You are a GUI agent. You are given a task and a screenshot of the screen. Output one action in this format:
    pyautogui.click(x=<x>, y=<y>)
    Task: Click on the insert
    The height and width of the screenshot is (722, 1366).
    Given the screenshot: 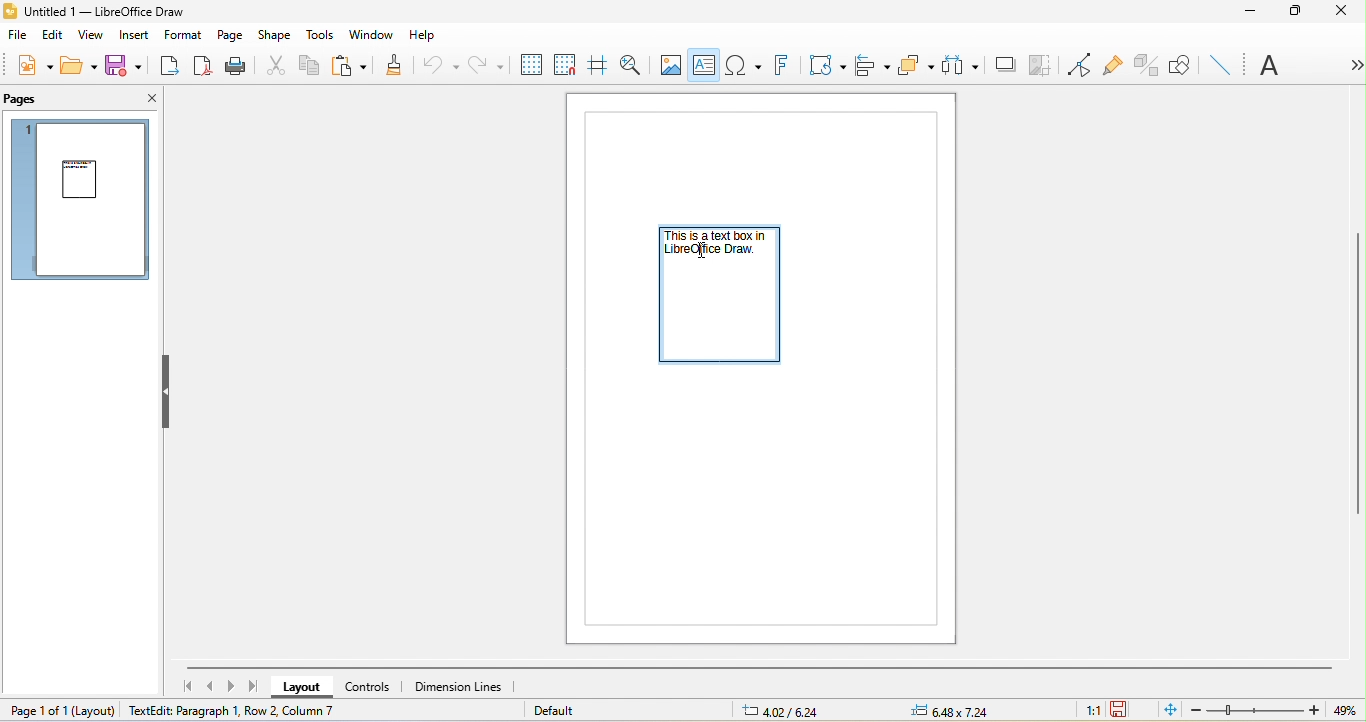 What is the action you would take?
    pyautogui.click(x=137, y=37)
    